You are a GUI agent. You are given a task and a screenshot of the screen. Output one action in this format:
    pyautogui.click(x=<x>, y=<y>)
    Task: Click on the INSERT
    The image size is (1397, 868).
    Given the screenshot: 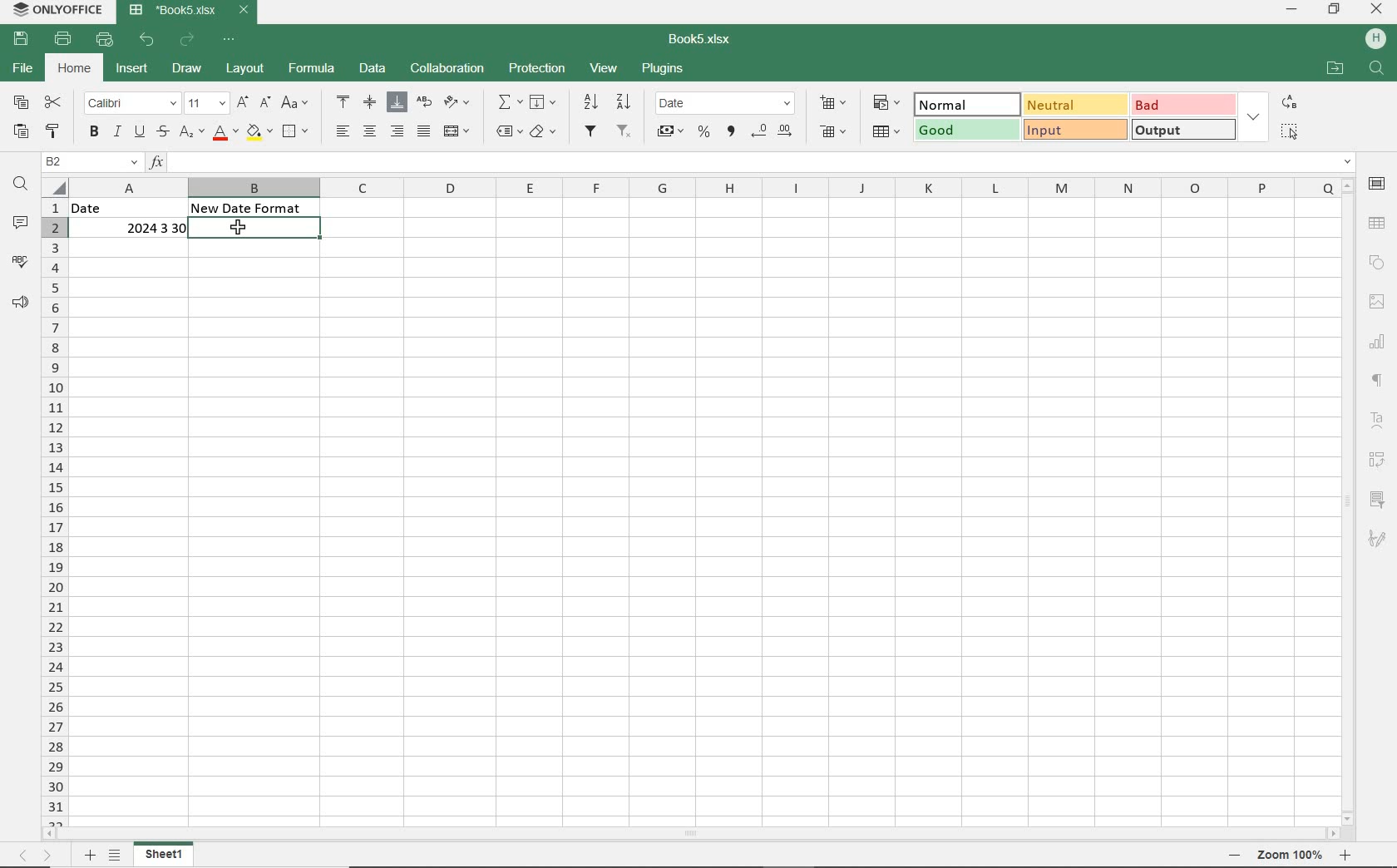 What is the action you would take?
    pyautogui.click(x=134, y=70)
    